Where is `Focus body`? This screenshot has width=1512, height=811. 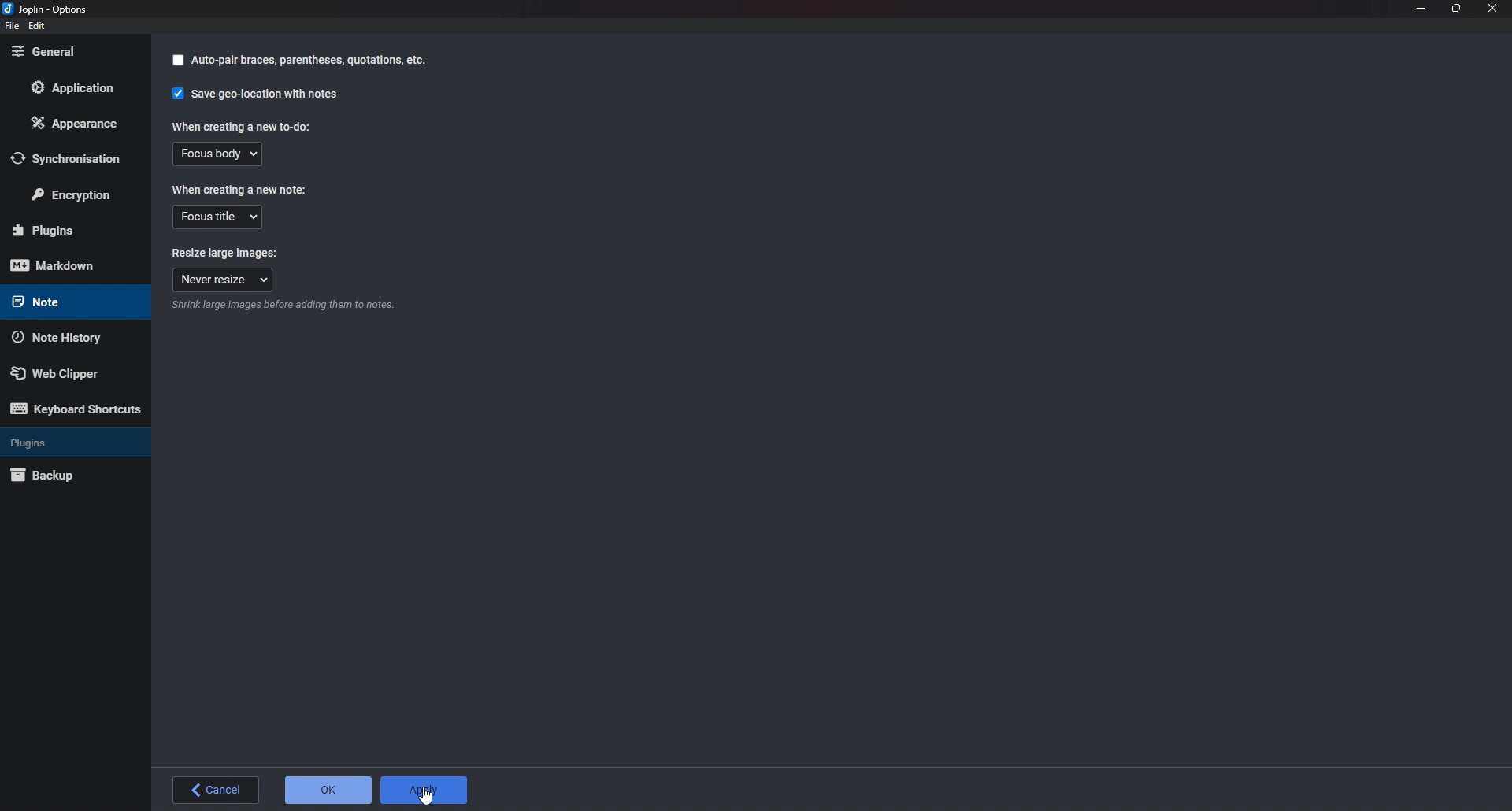 Focus body is located at coordinates (213, 155).